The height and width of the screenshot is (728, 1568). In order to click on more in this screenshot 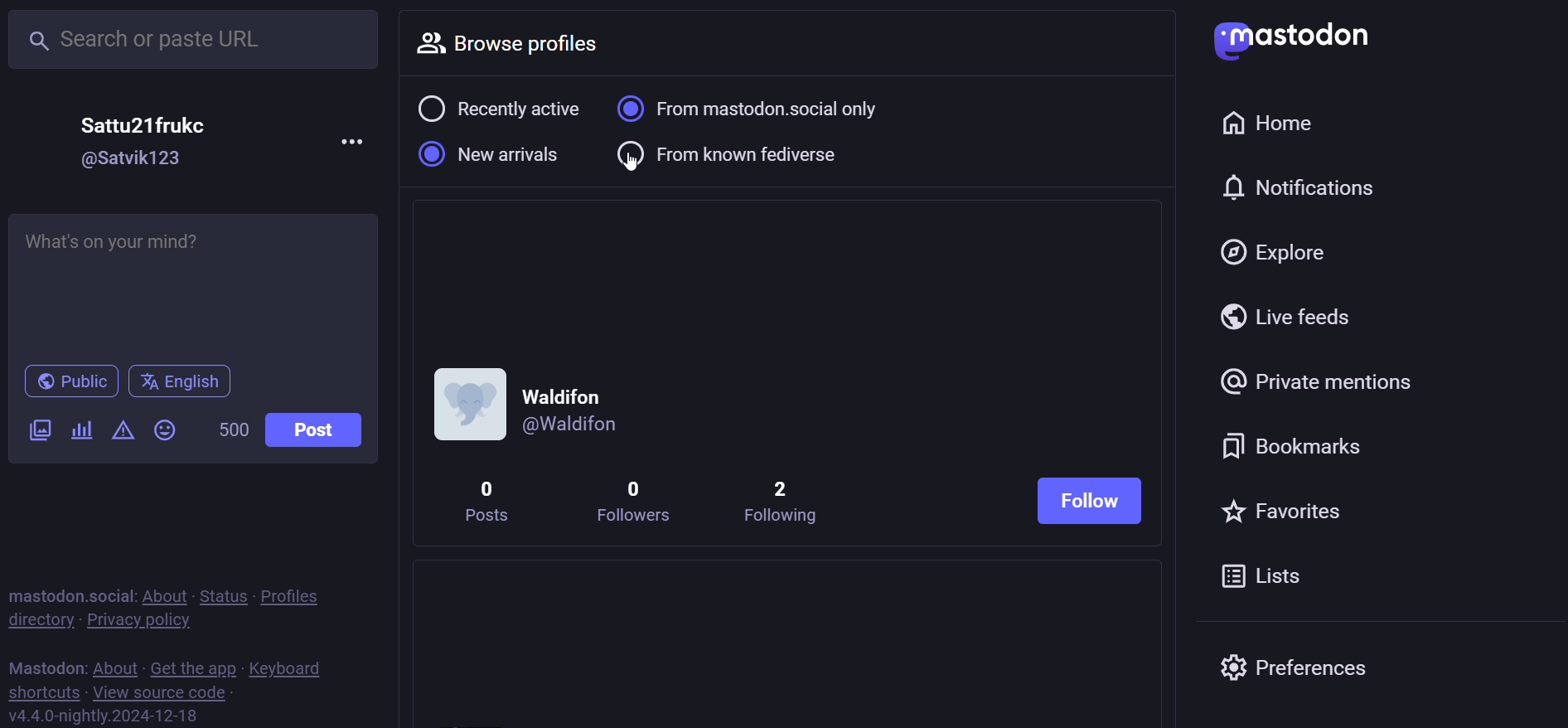, I will do `click(356, 142)`.